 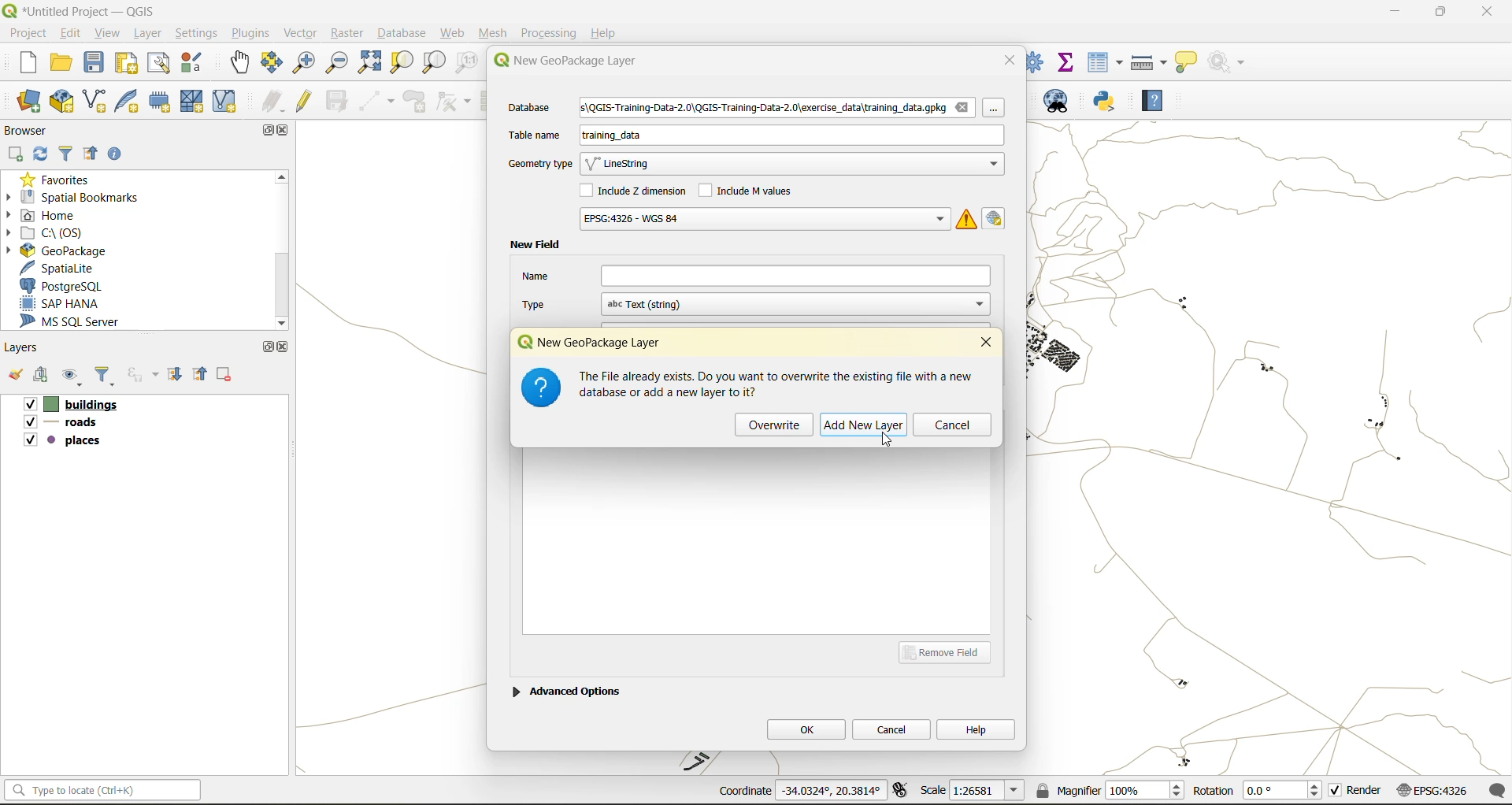 I want to click on include m values, so click(x=750, y=189).